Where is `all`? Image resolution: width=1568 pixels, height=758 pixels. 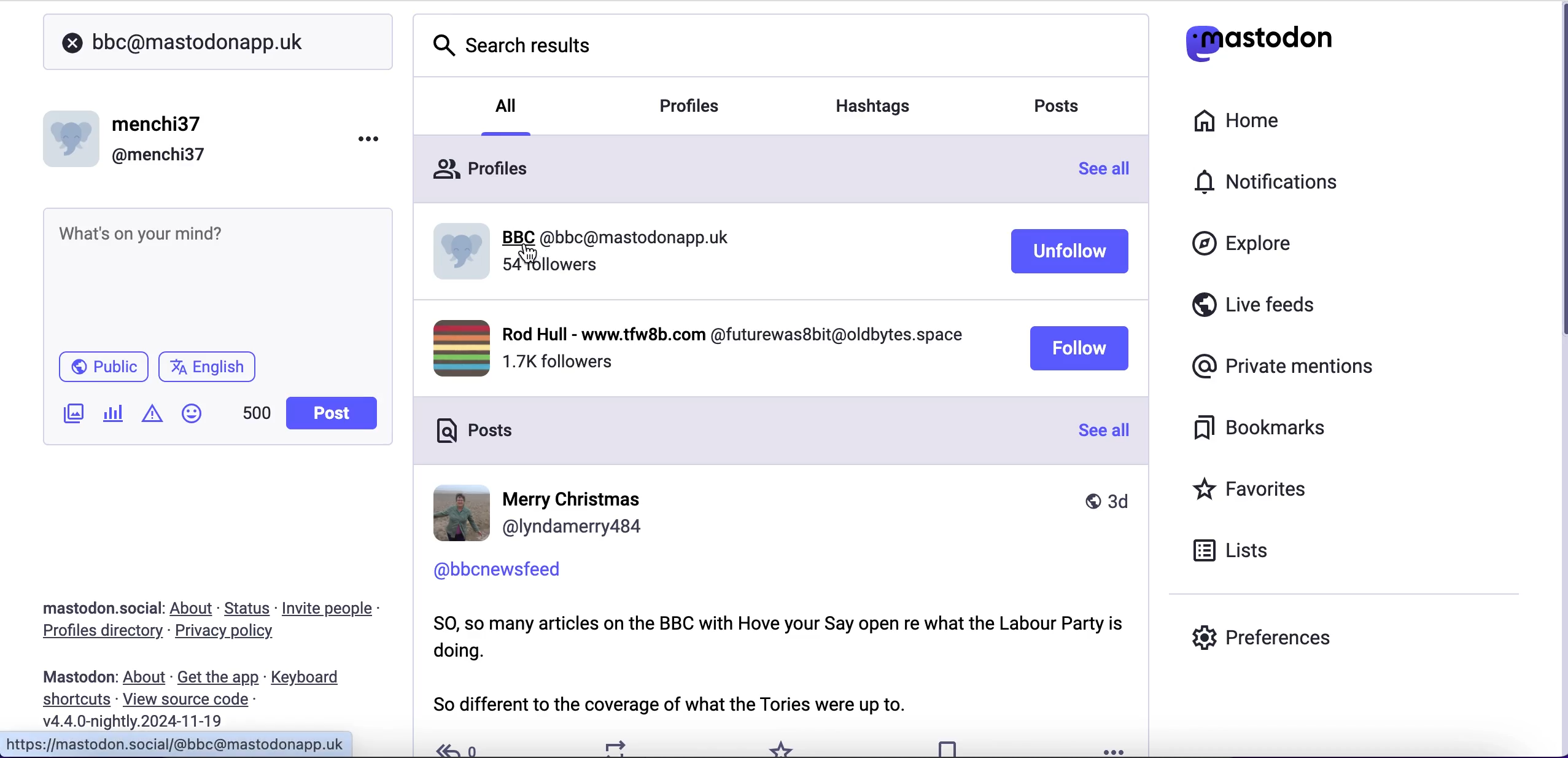 all is located at coordinates (509, 114).